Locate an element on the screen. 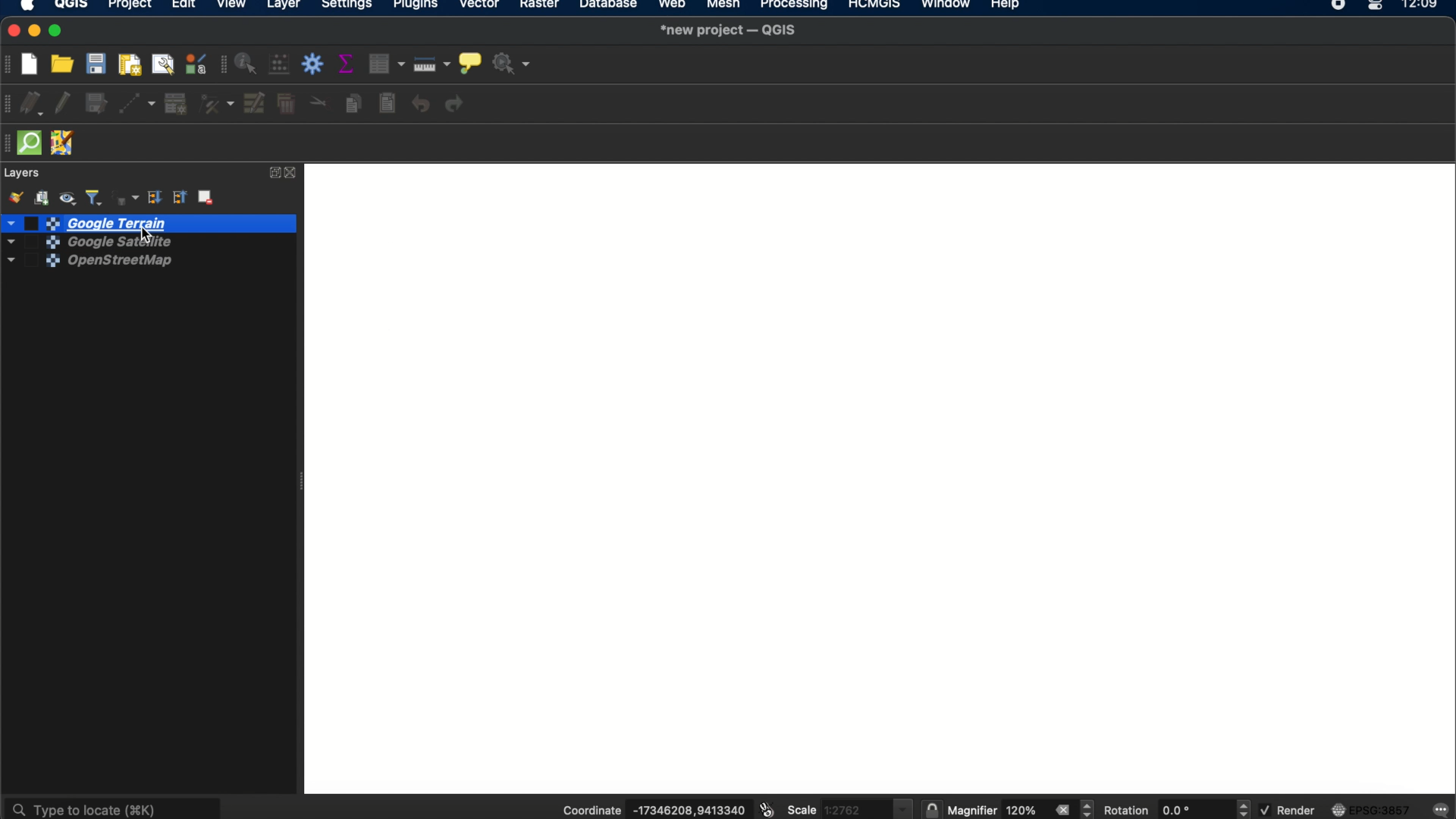 The image size is (1456, 819). minimize is located at coordinates (36, 31).